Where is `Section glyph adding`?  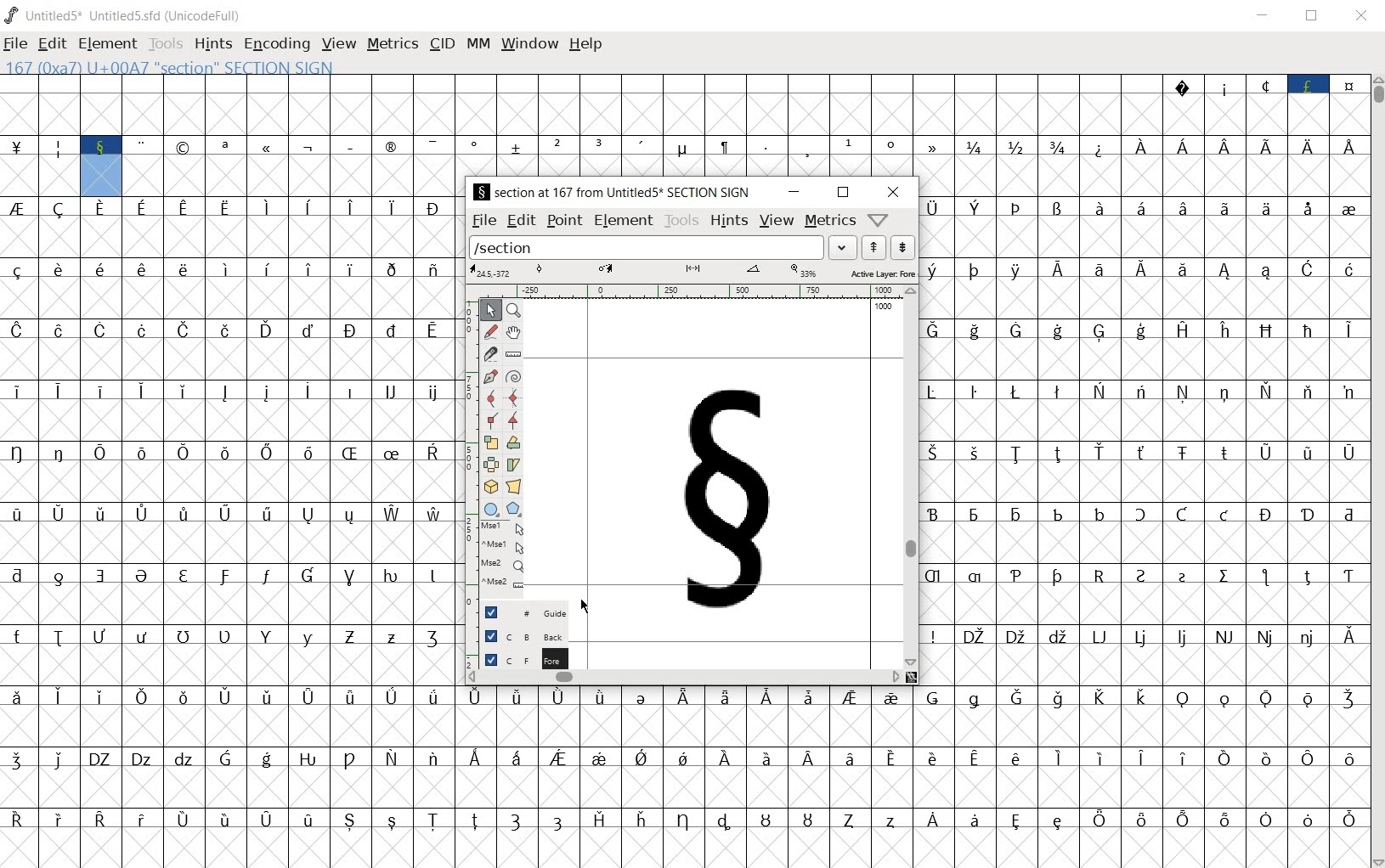
Section glyph adding is located at coordinates (723, 502).